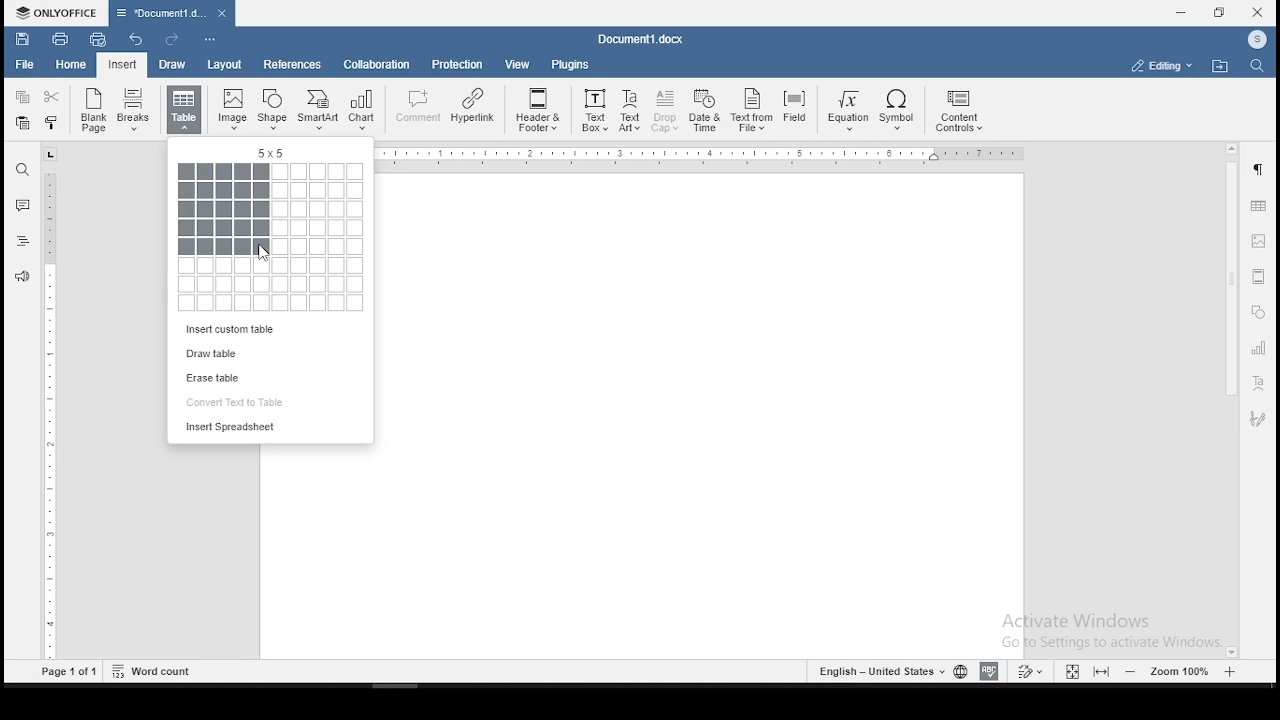 This screenshot has height=720, width=1280. I want to click on convert text to table, so click(272, 401).